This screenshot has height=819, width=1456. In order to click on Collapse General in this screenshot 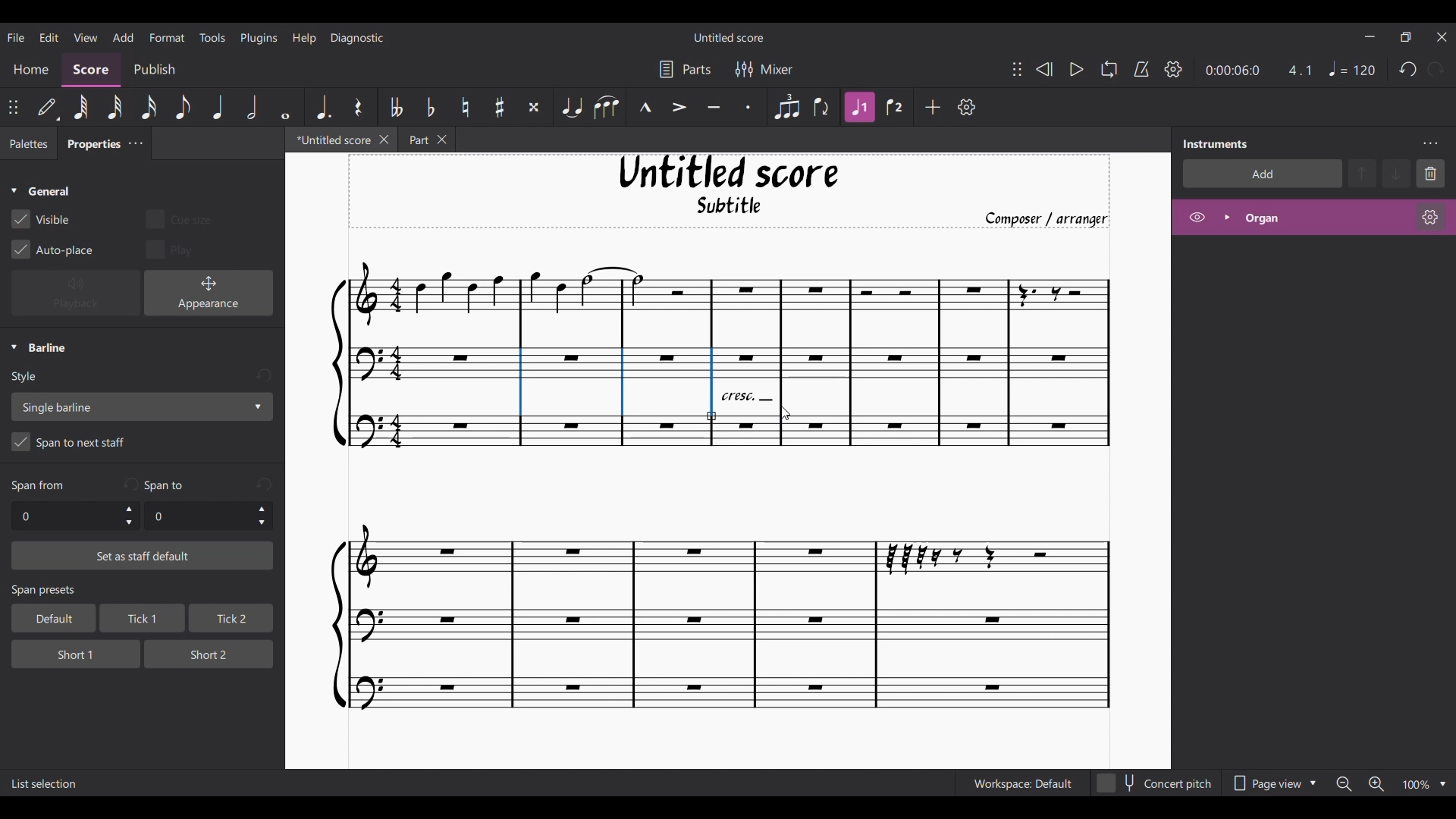, I will do `click(41, 192)`.